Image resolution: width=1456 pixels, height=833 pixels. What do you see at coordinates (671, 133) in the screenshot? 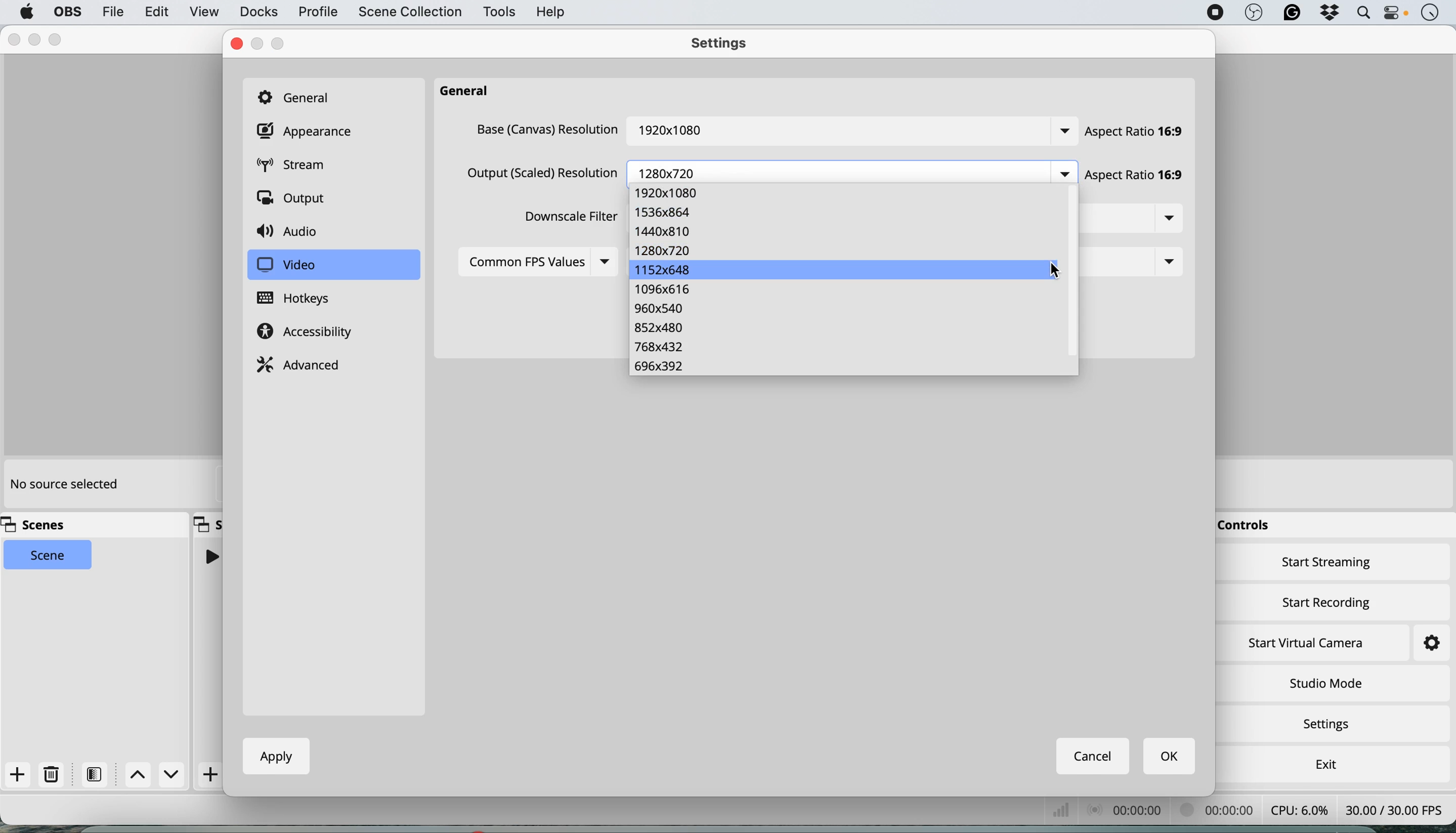
I see `1920 X 1080` at bounding box center [671, 133].